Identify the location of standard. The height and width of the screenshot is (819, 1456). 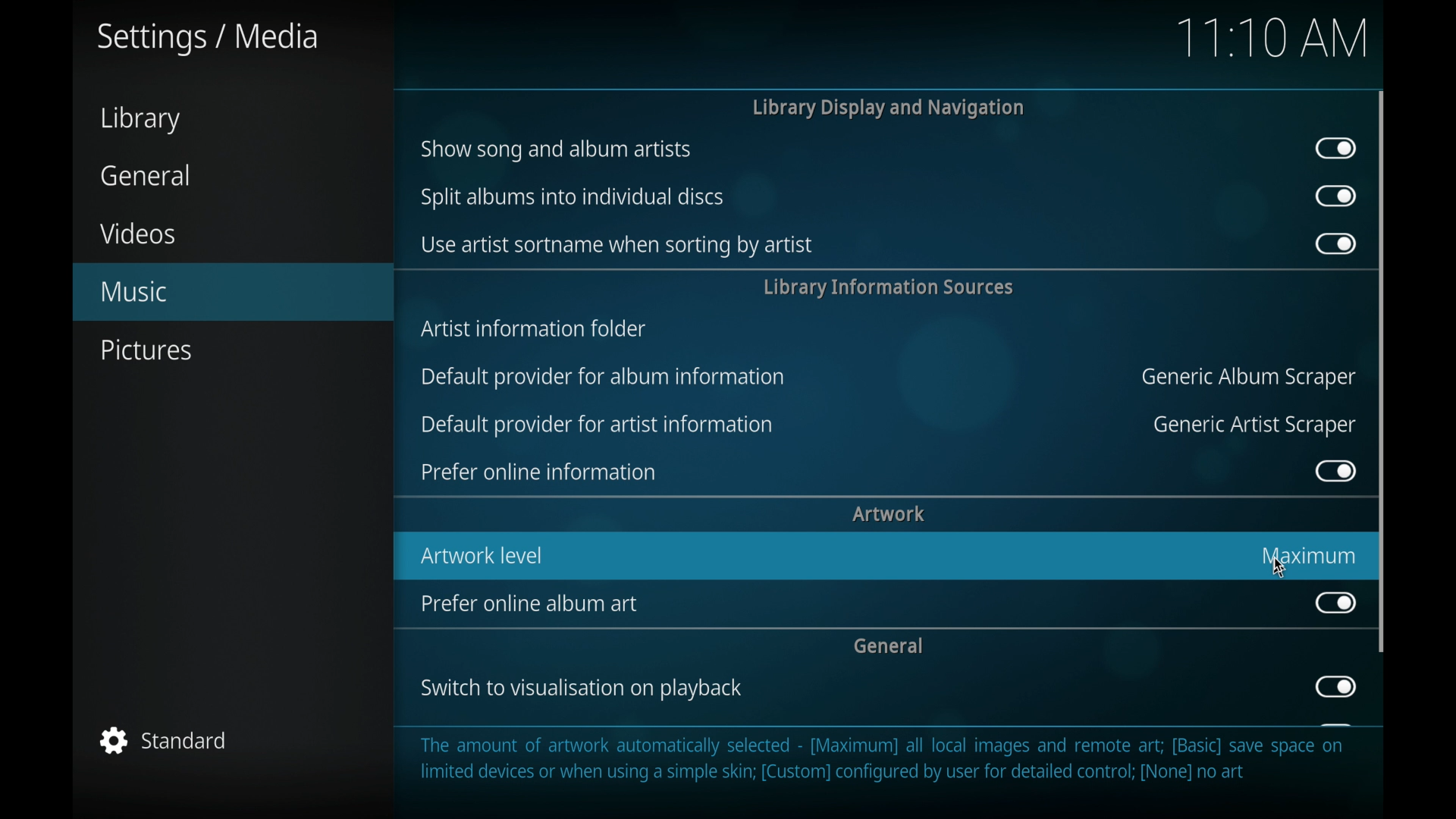
(163, 742).